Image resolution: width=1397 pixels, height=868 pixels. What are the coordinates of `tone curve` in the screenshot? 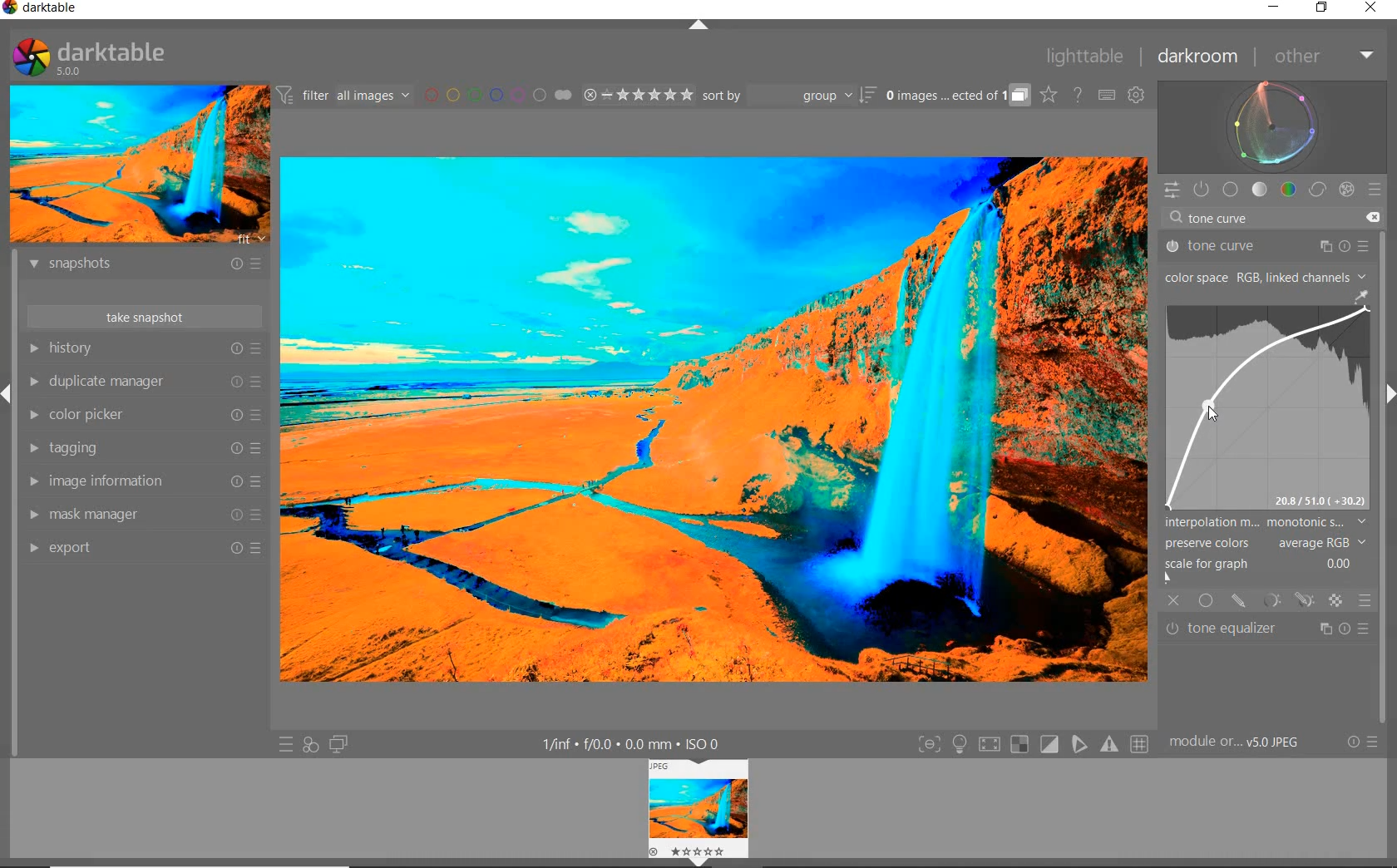 It's located at (1265, 246).